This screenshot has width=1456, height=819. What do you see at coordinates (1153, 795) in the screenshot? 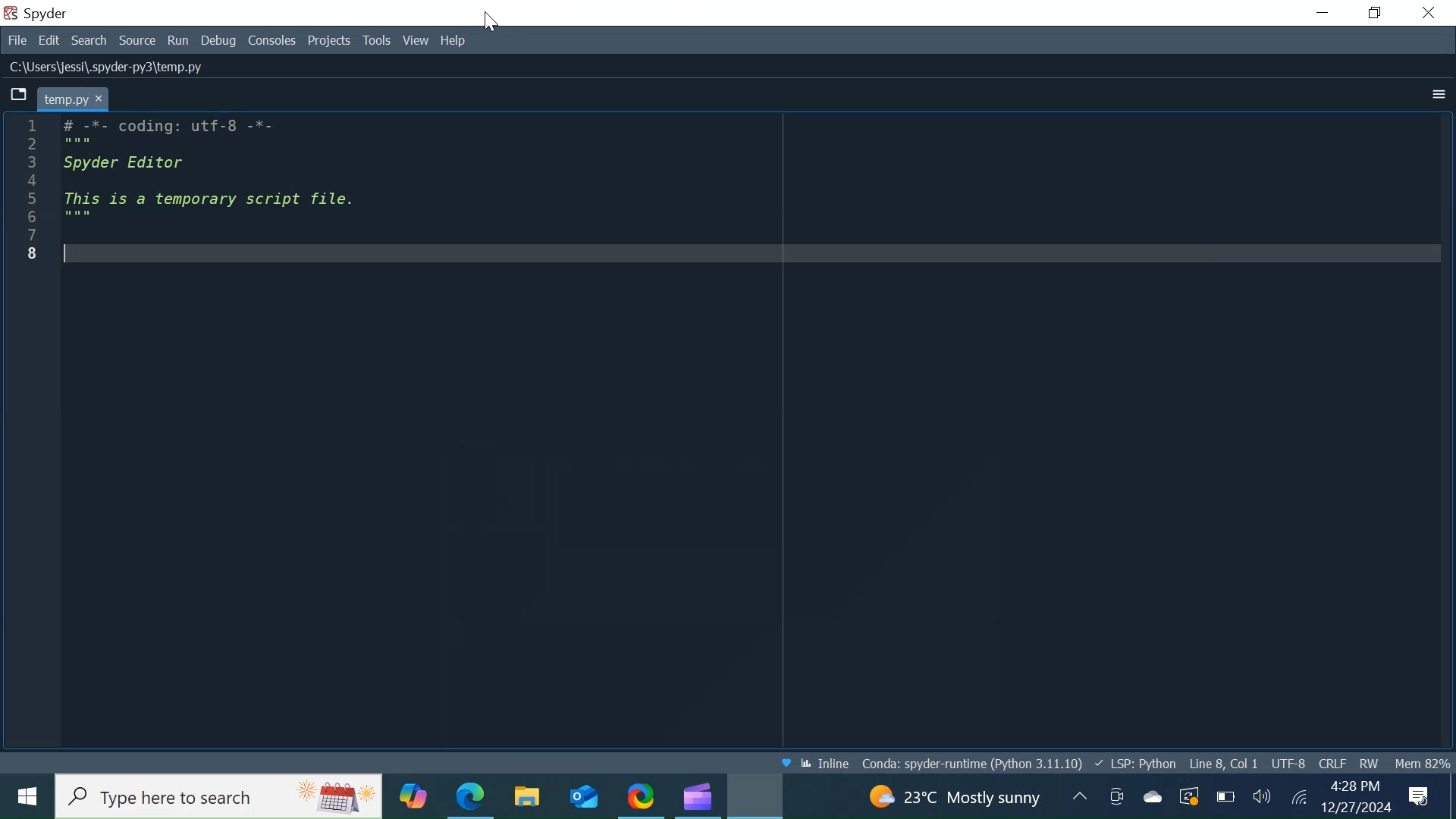
I see `Onedrive` at bounding box center [1153, 795].